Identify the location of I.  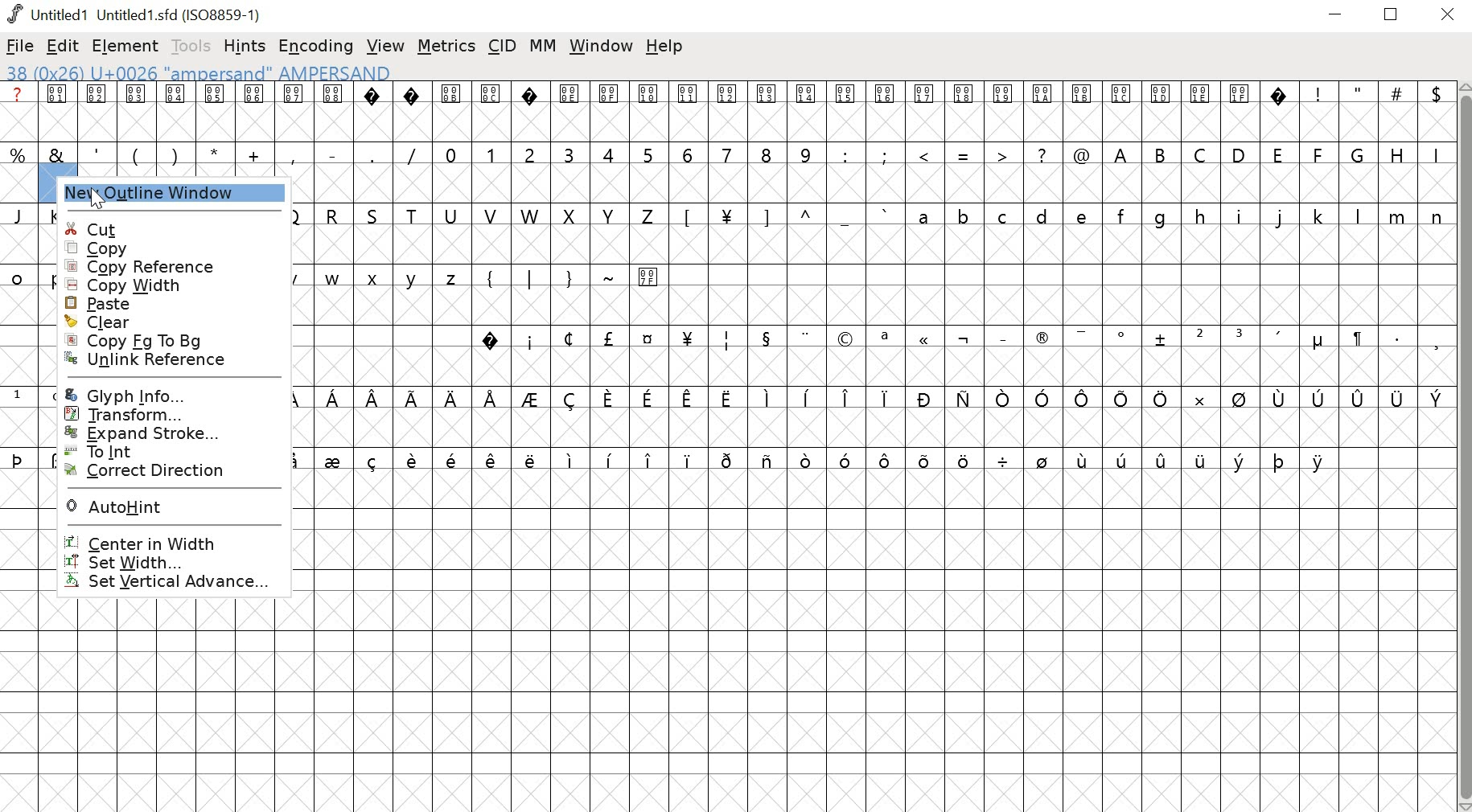
(1434, 154).